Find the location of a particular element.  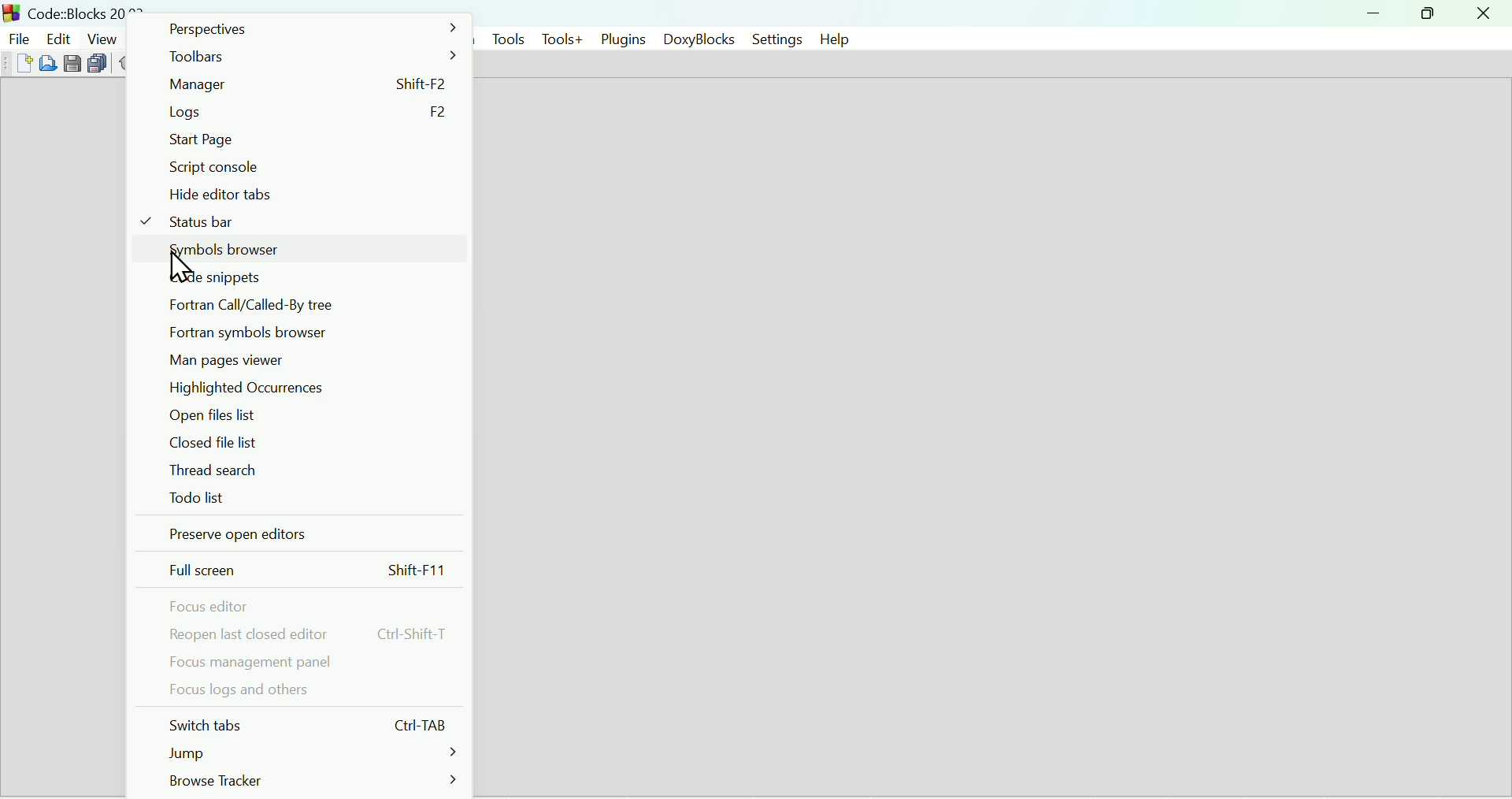

Plugins is located at coordinates (623, 37).